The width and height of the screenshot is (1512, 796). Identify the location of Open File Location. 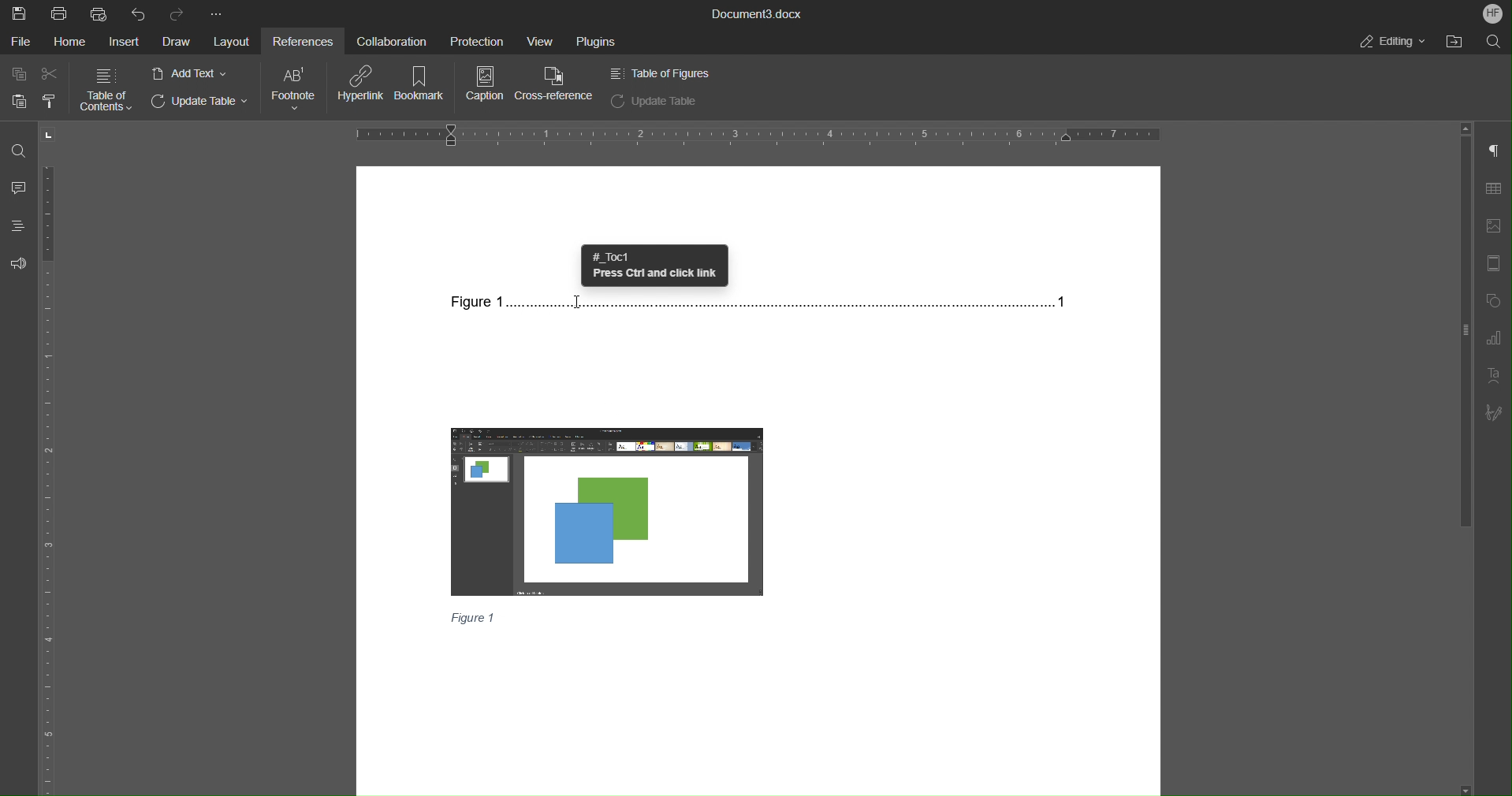
(1460, 43).